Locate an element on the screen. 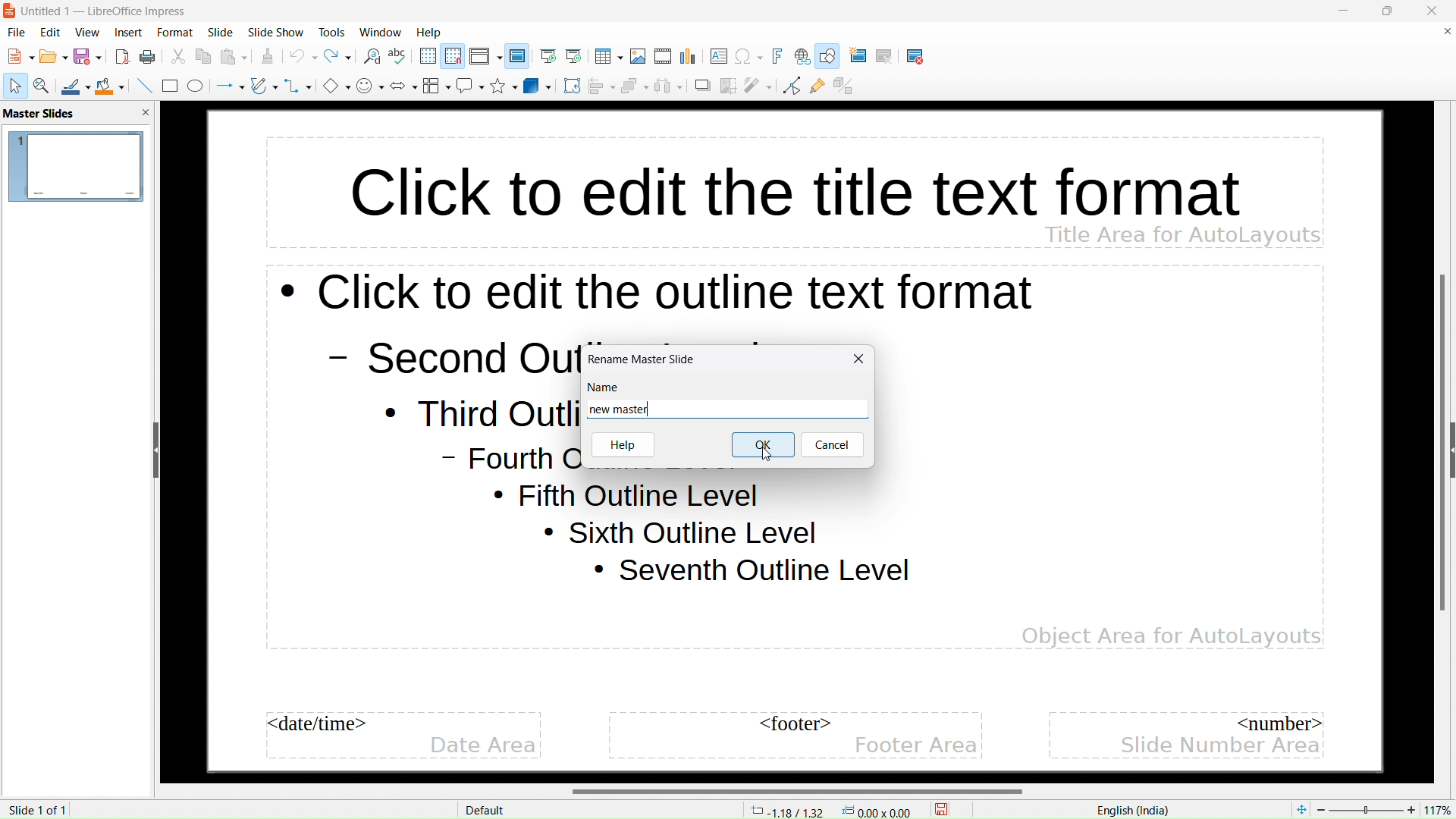 This screenshot has width=1456, height=819. logo is located at coordinates (10, 11).